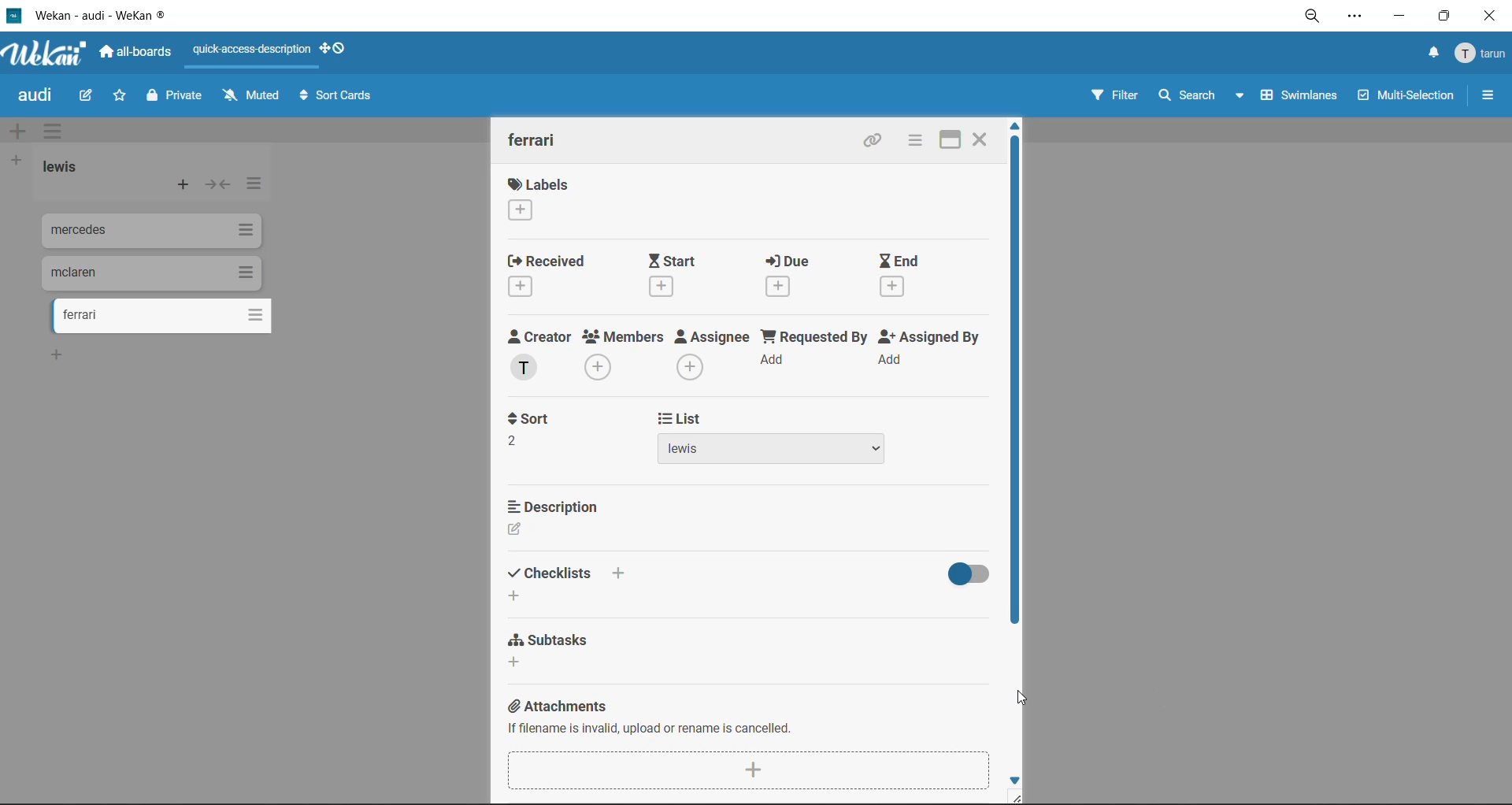  Describe the element at coordinates (569, 585) in the screenshot. I see `checklists` at that location.